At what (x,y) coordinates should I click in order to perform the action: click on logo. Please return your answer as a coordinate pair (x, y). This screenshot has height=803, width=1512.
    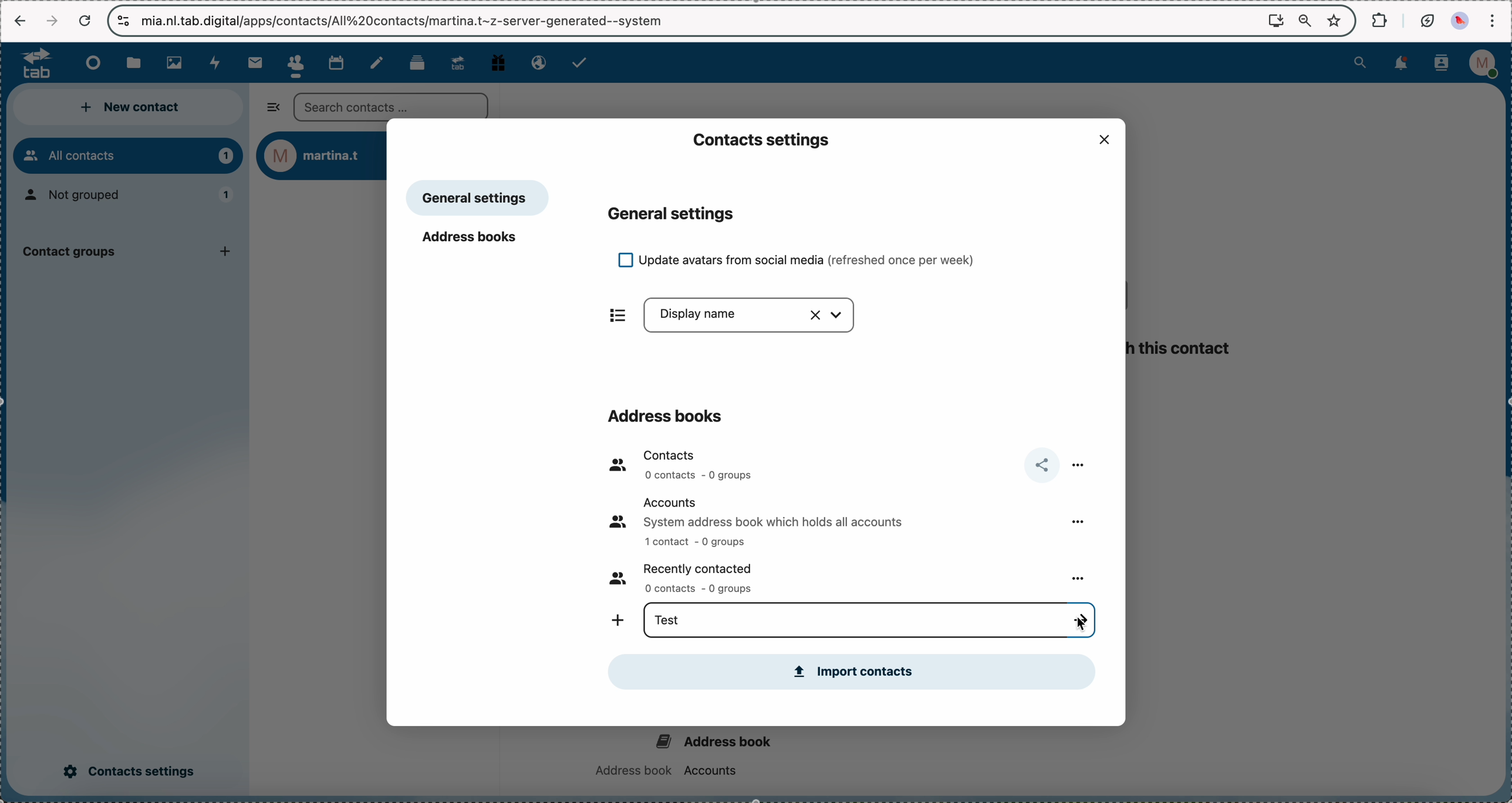
    Looking at the image, I should click on (29, 63).